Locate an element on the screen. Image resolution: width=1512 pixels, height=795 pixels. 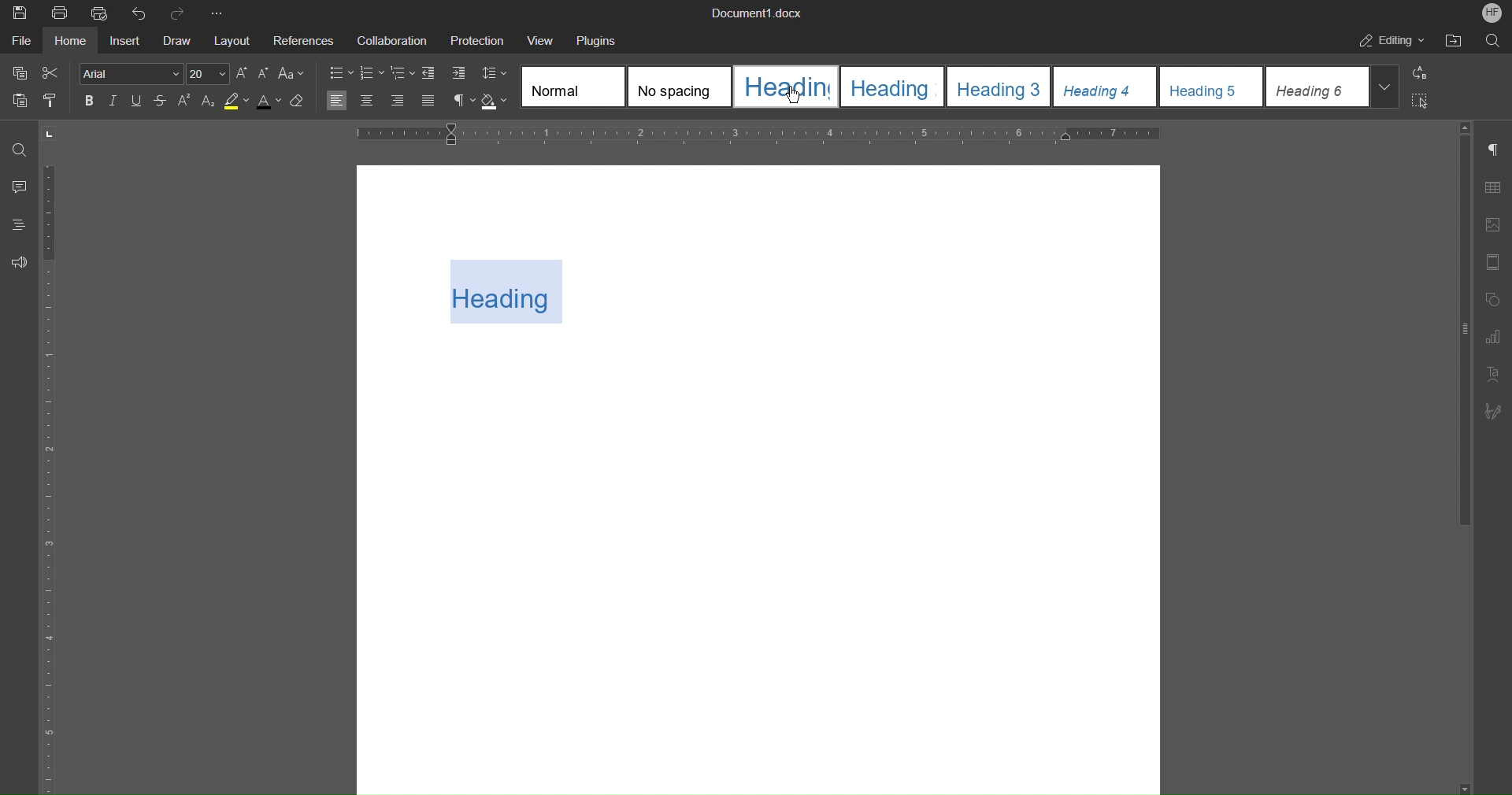
New is located at coordinates (18, 13).